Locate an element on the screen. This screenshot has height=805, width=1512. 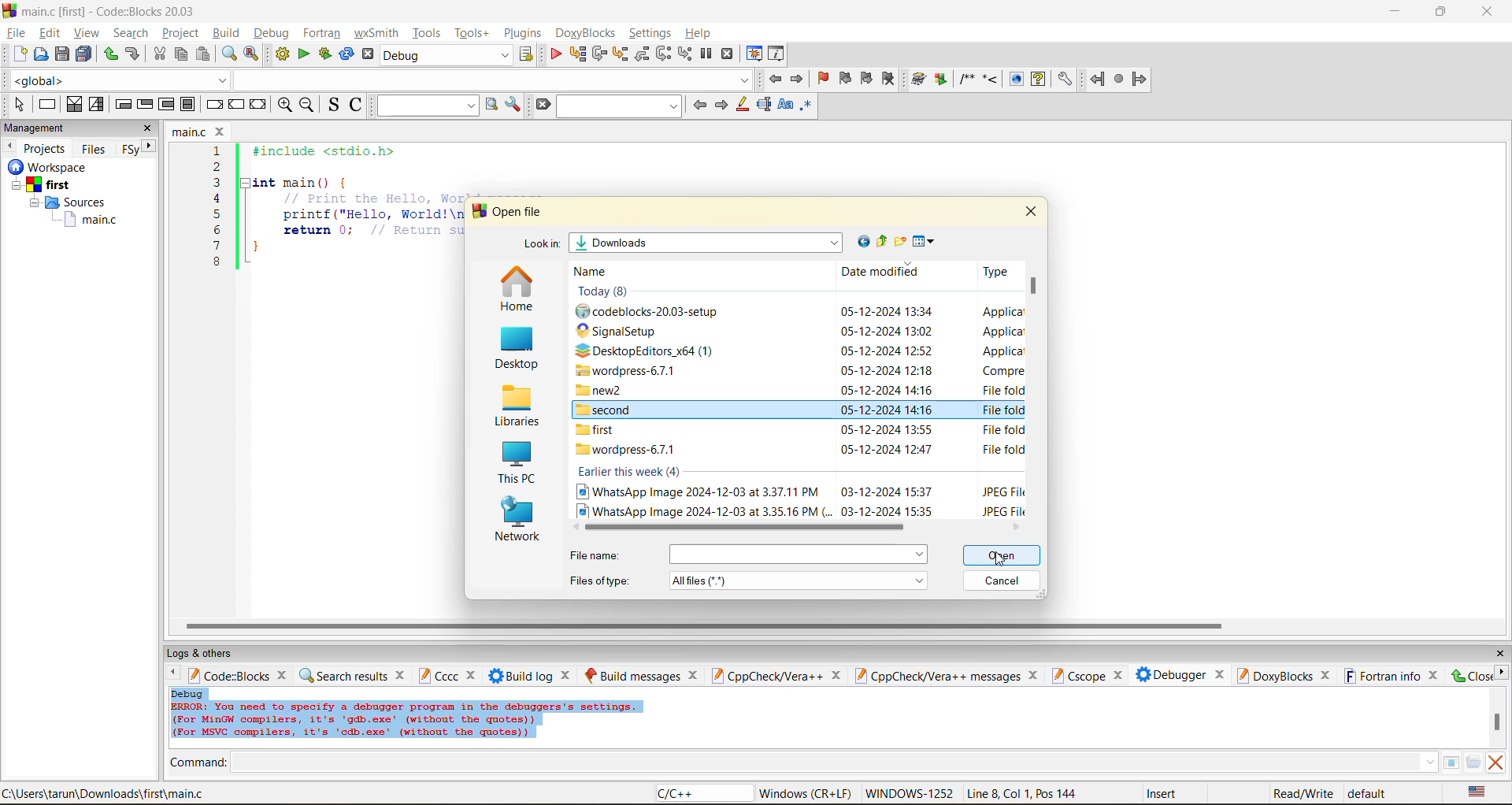
file is located at coordinates (15, 31).